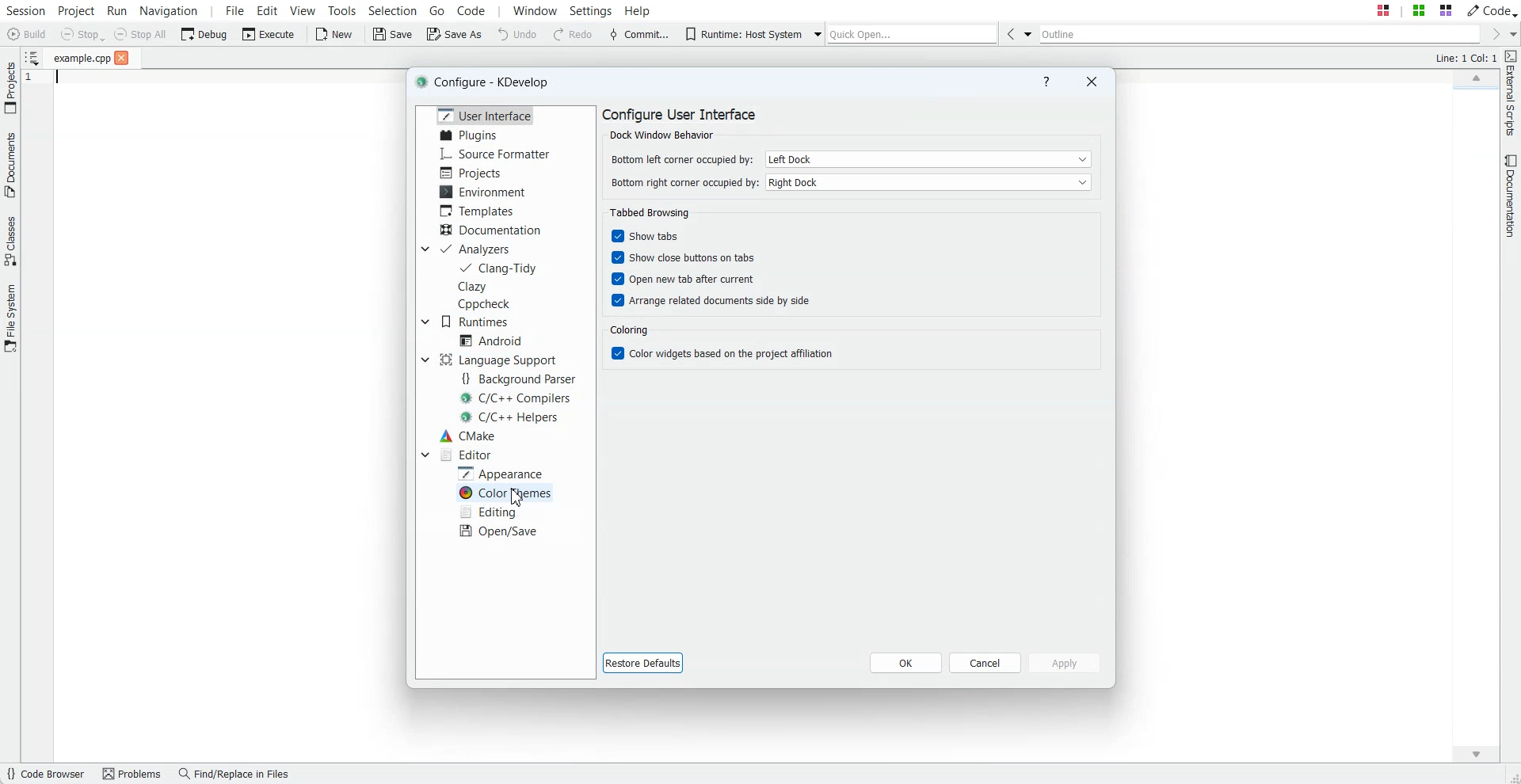 The width and height of the screenshot is (1521, 784). I want to click on Clazy, so click(488, 286).